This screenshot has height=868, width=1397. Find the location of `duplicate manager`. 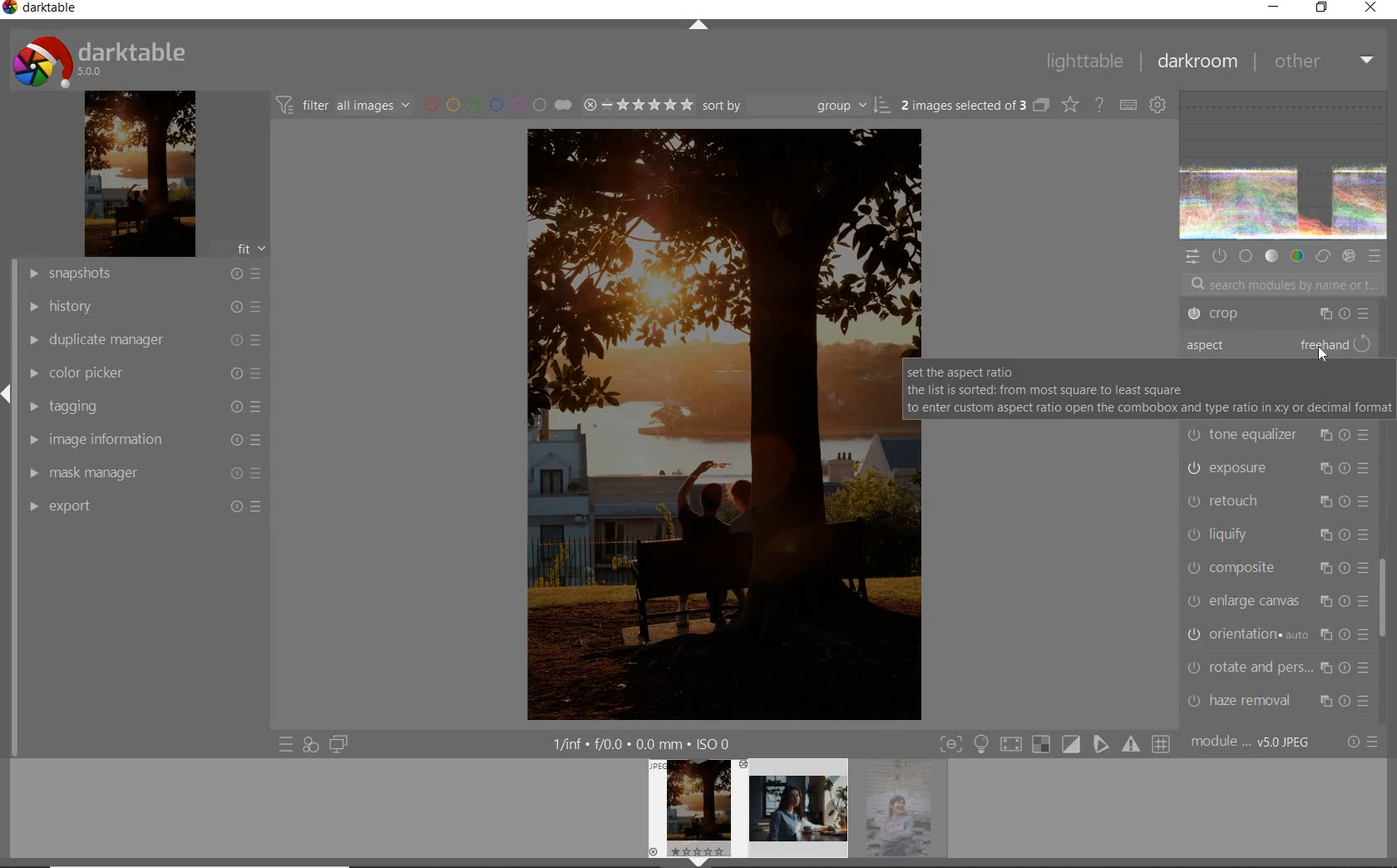

duplicate manager is located at coordinates (144, 339).